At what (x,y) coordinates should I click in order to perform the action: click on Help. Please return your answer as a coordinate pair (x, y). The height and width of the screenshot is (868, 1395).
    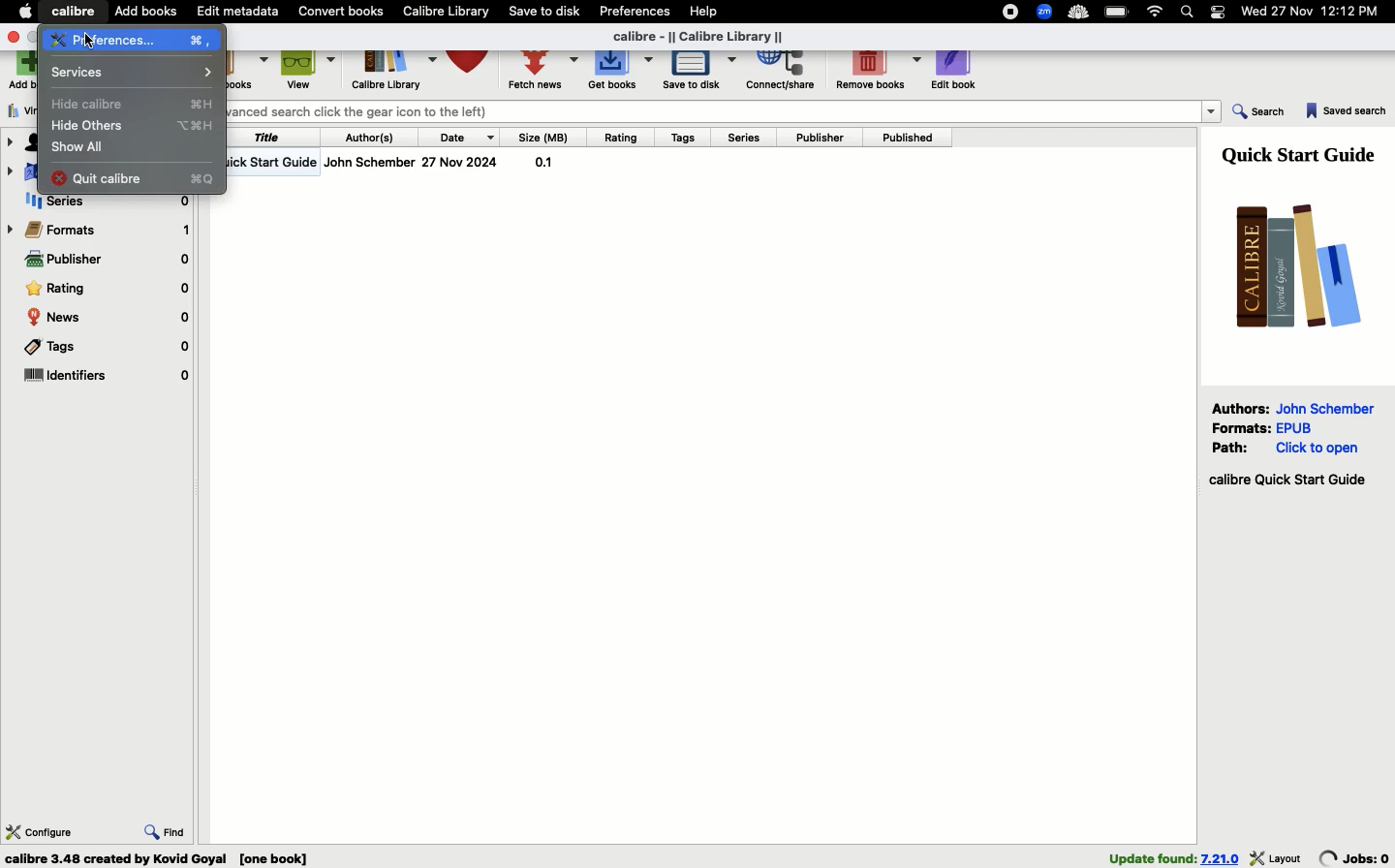
    Looking at the image, I should click on (702, 10).